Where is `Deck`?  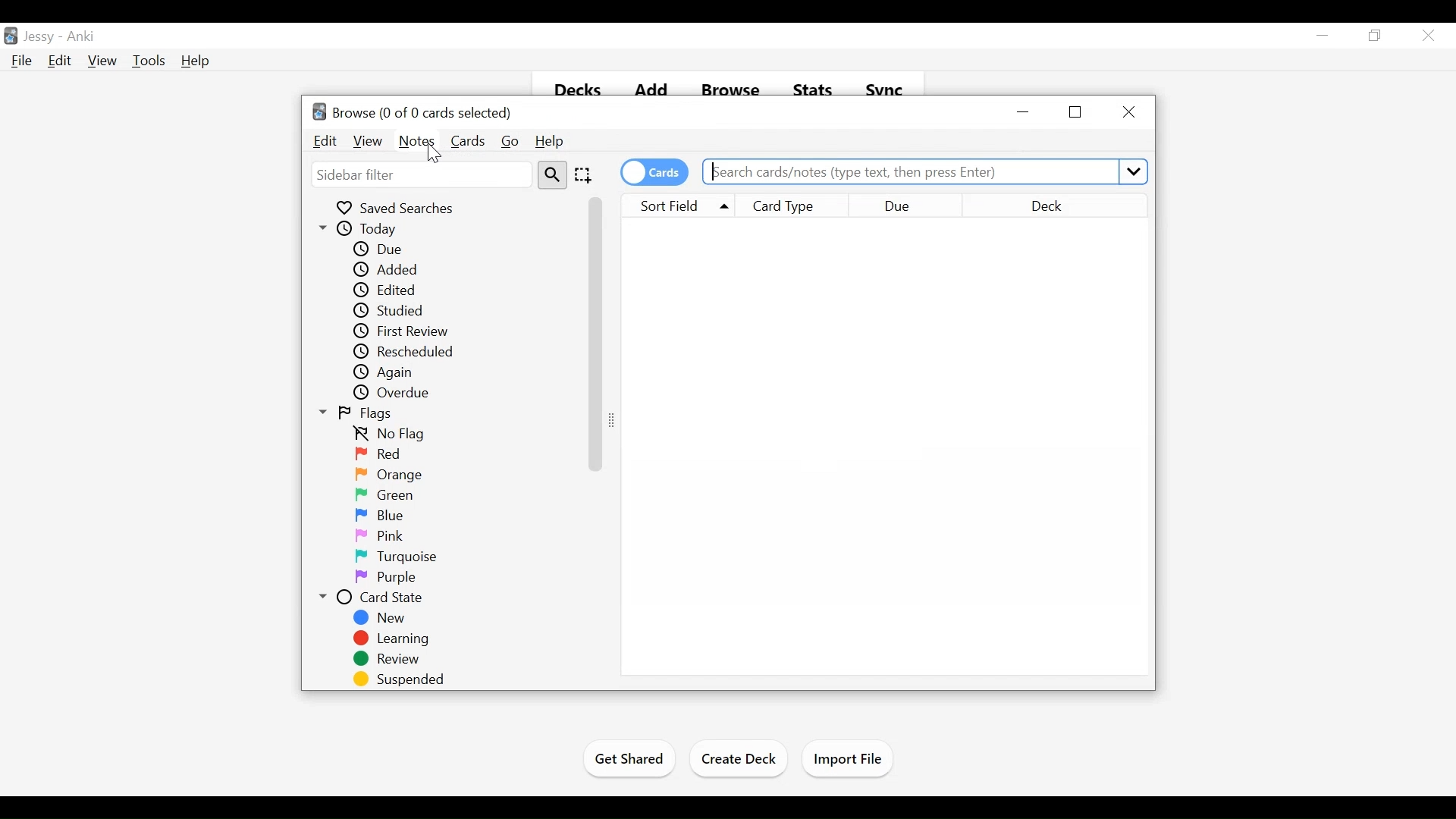 Deck is located at coordinates (1055, 204).